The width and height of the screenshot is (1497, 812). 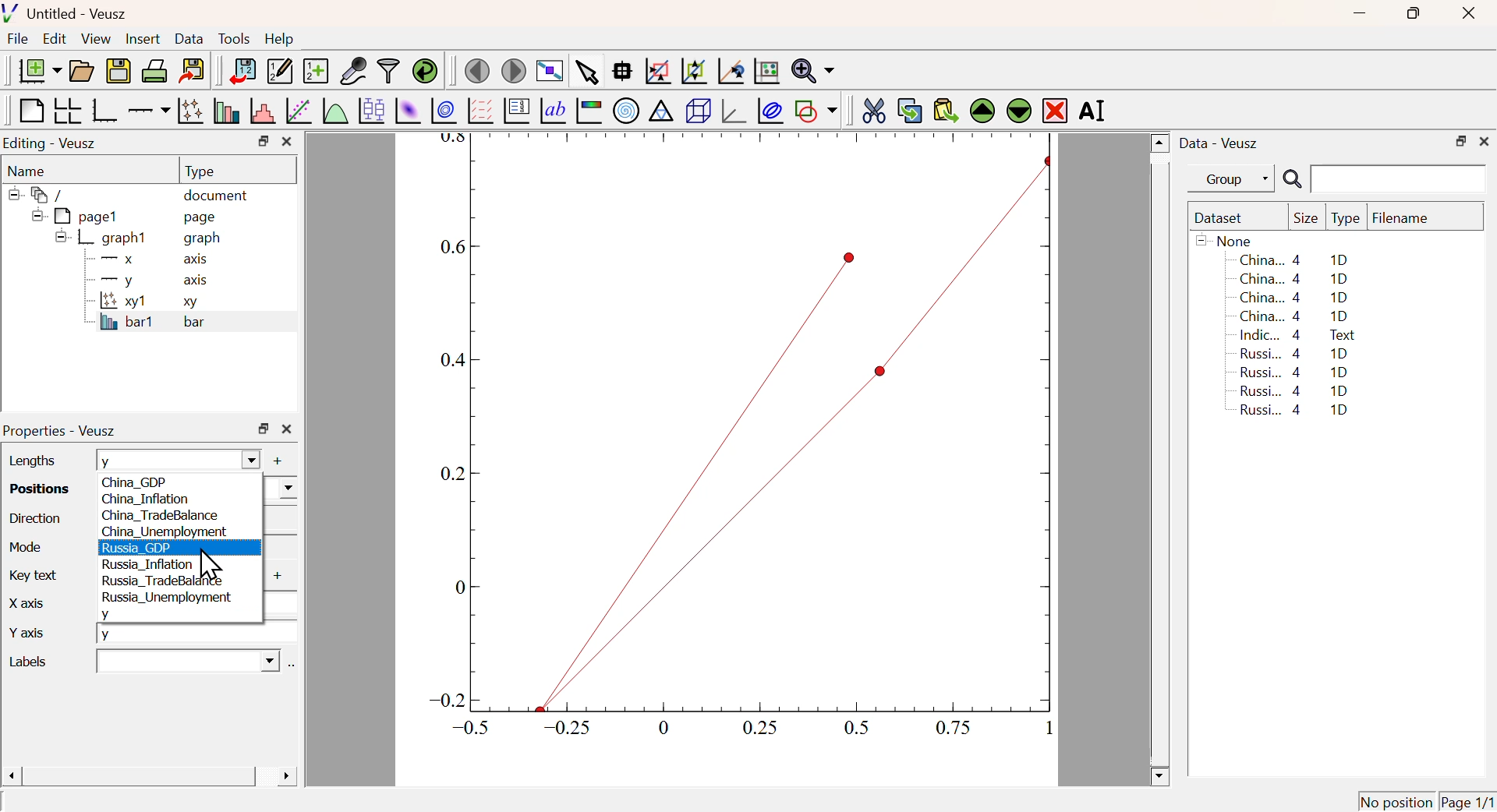 I want to click on Export to graphics format, so click(x=193, y=69).